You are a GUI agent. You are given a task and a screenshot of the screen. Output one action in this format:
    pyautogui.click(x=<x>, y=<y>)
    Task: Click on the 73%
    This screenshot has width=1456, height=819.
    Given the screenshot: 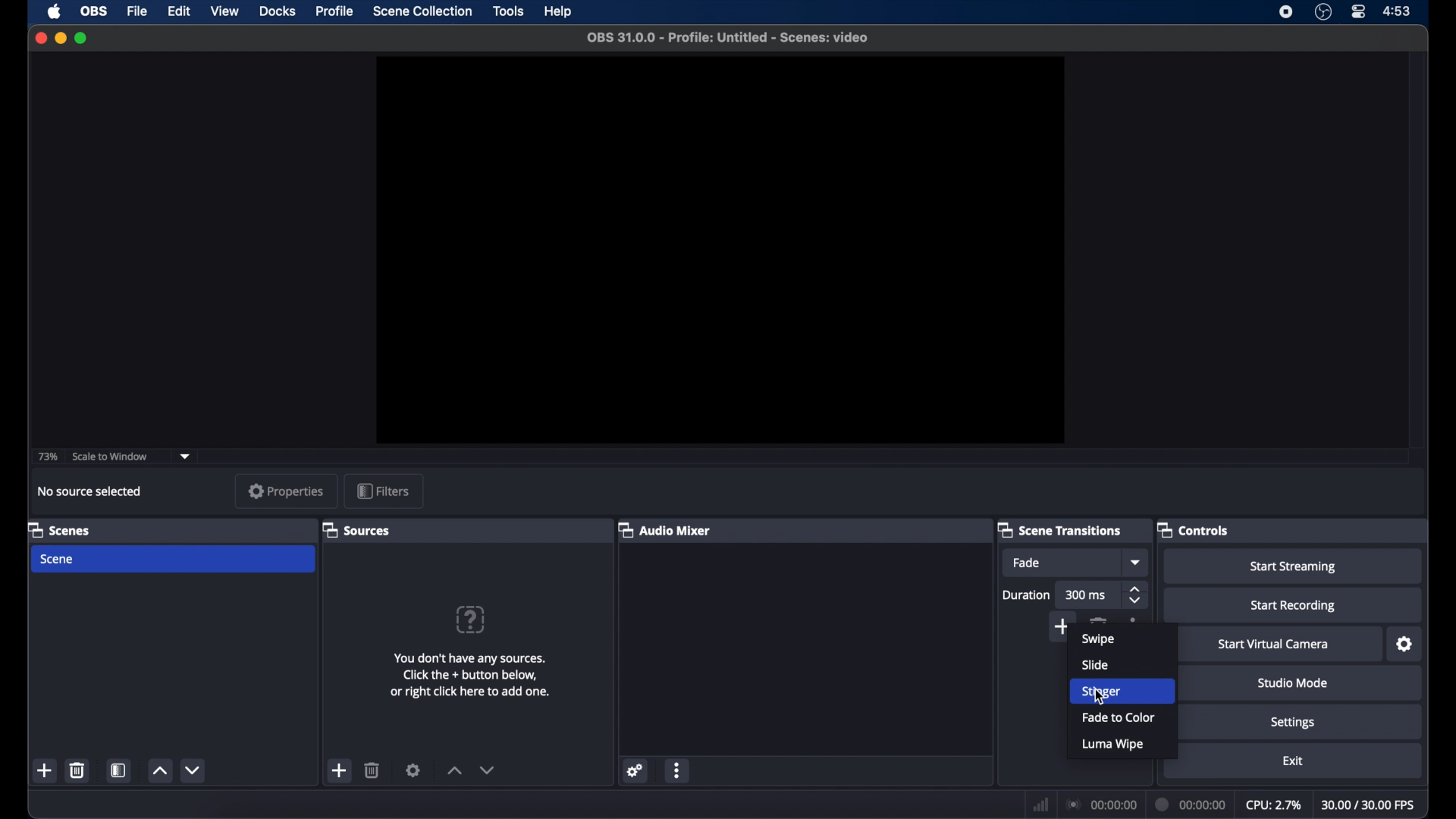 What is the action you would take?
    pyautogui.click(x=46, y=457)
    